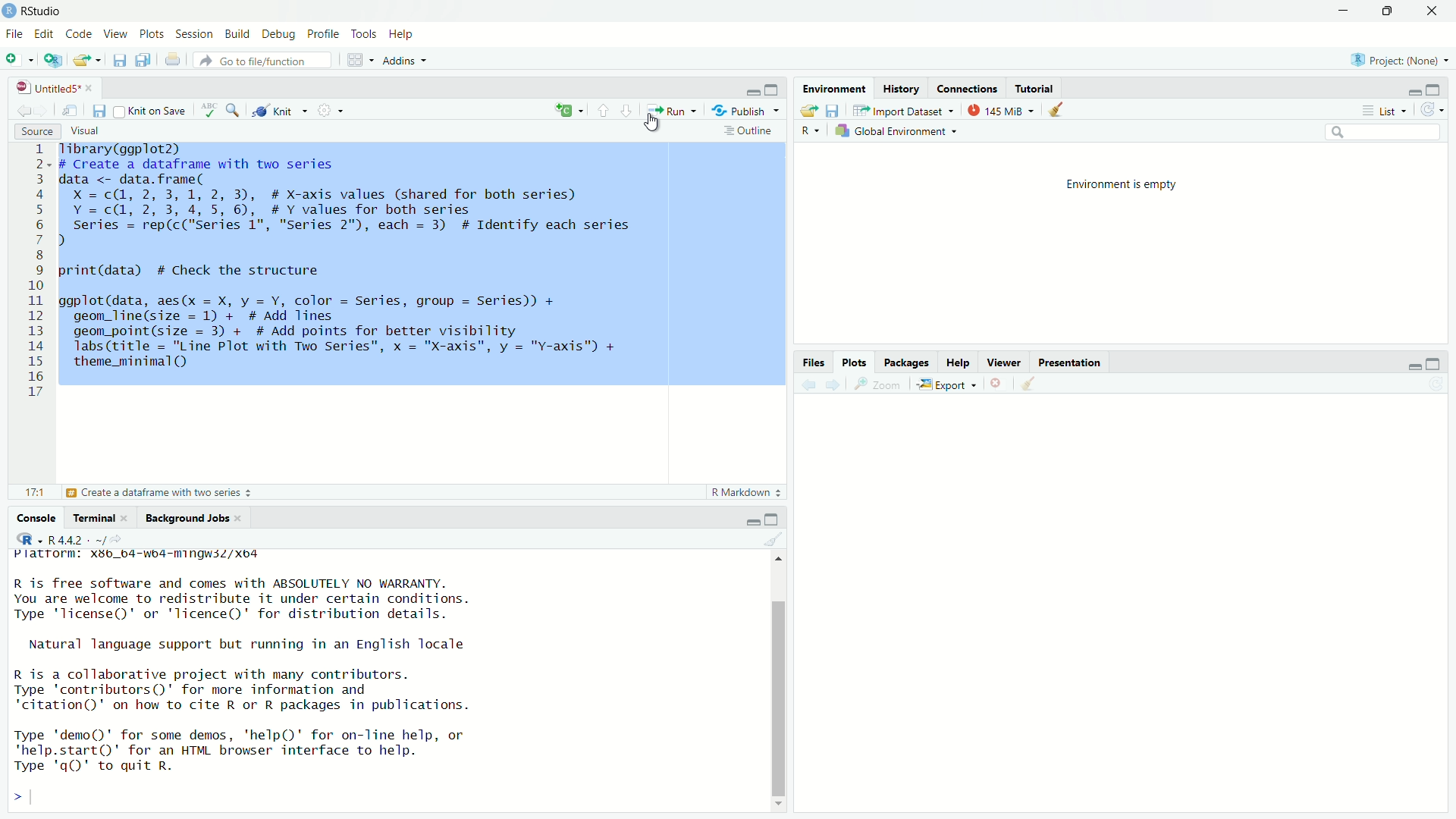  What do you see at coordinates (142, 60) in the screenshot?
I see `save all documents` at bounding box center [142, 60].